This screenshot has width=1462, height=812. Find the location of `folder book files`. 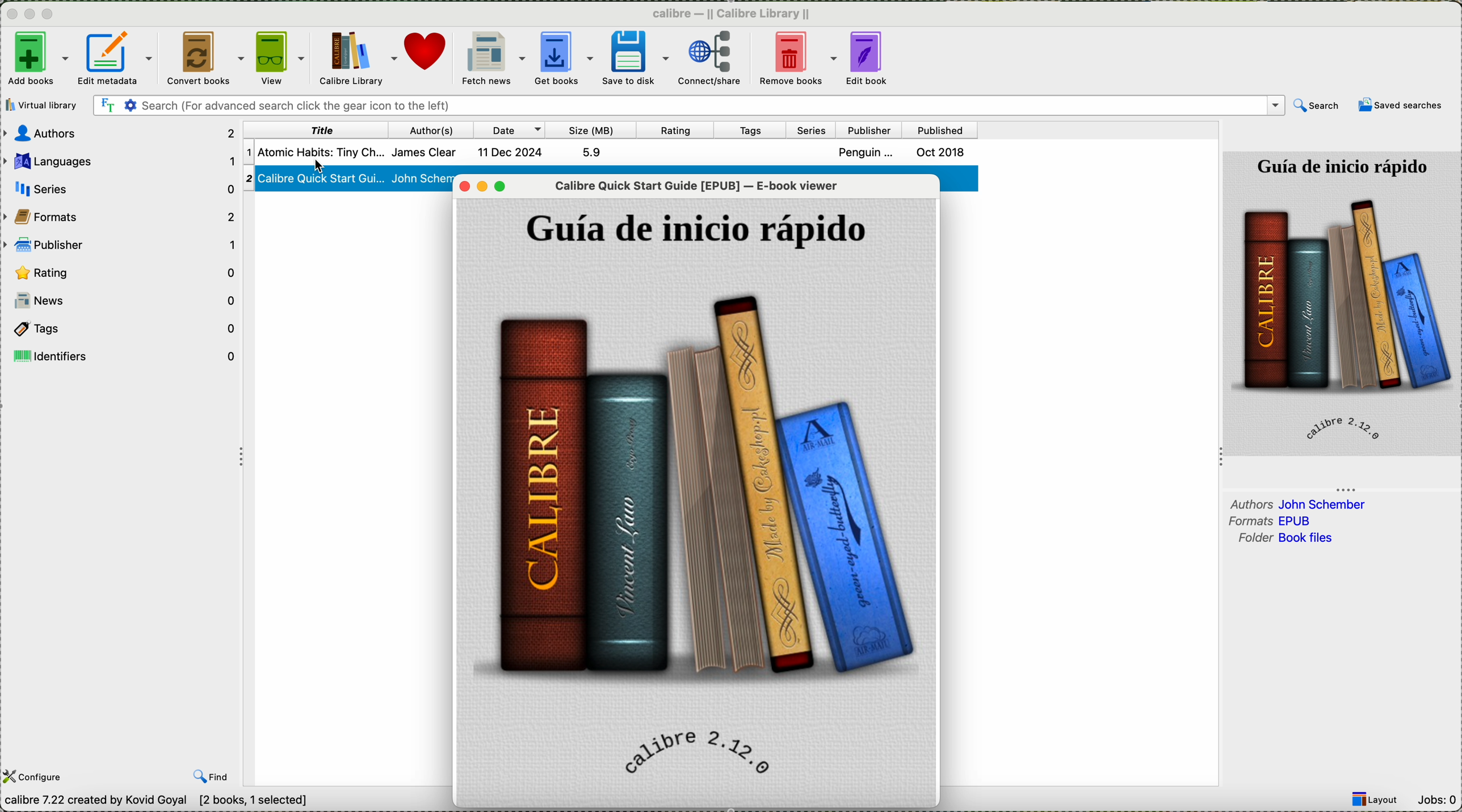

folder book files is located at coordinates (1288, 538).